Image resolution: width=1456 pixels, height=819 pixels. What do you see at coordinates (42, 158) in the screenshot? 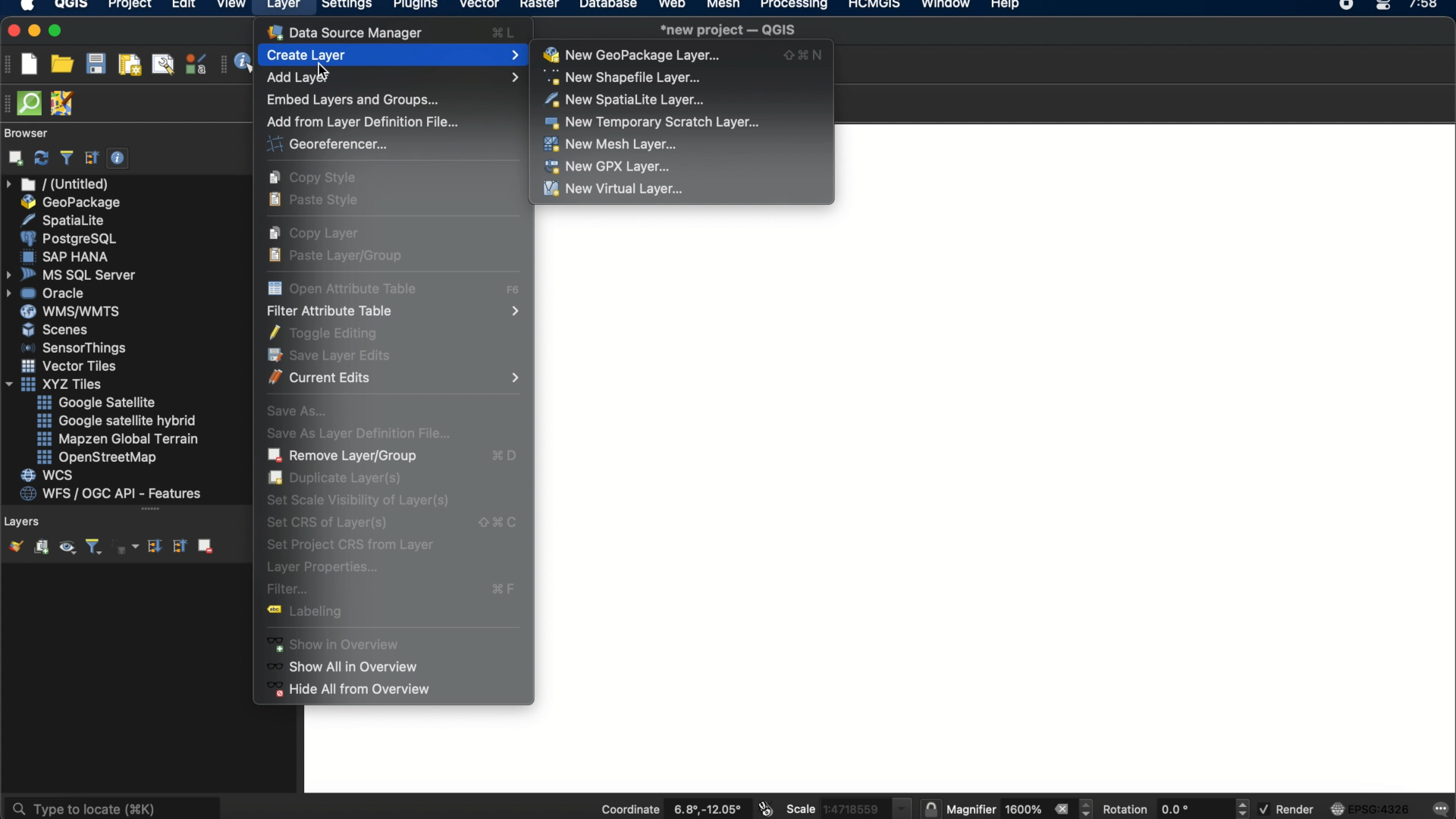
I see `refresh` at bounding box center [42, 158].